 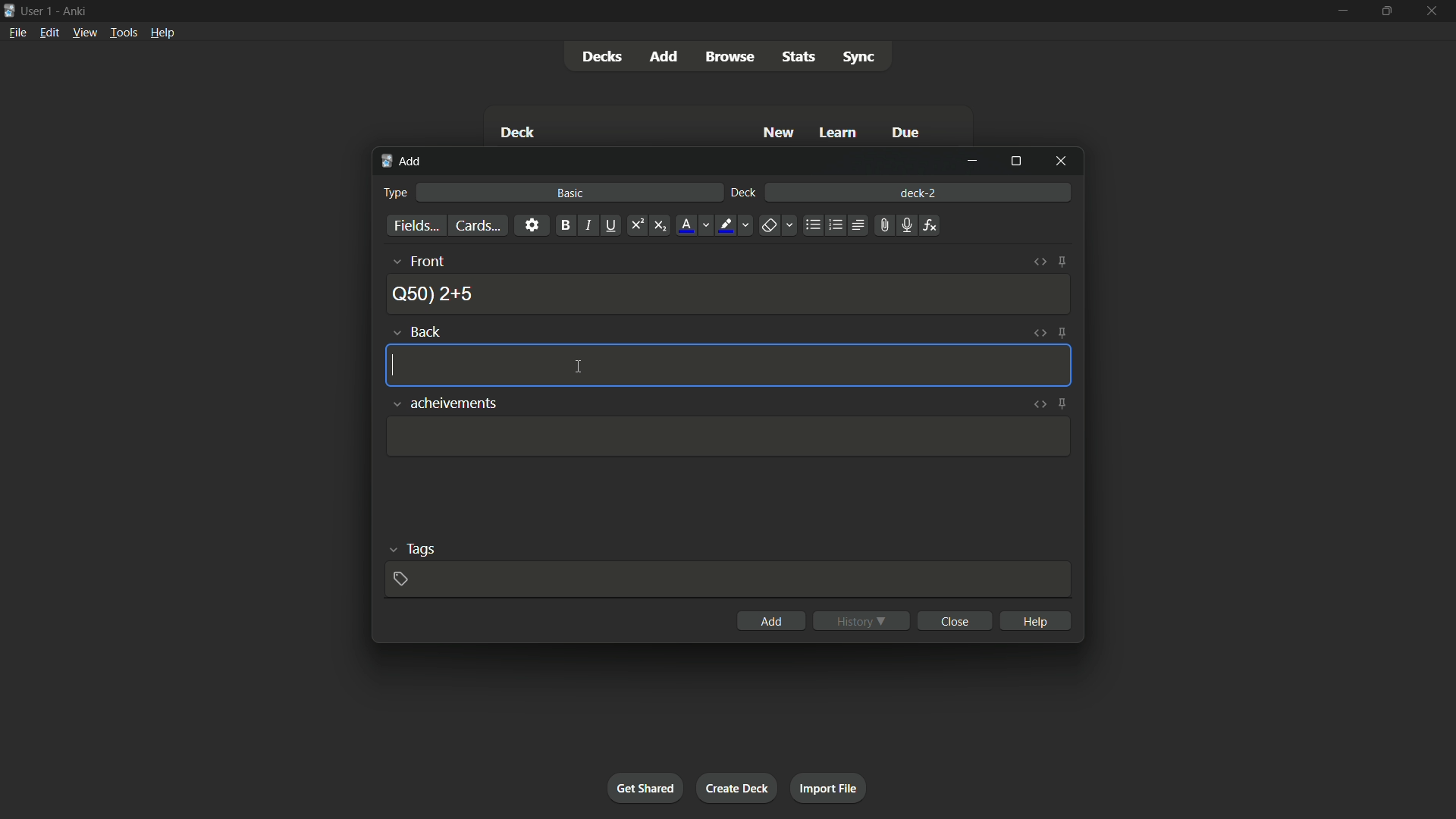 I want to click on ordered list, so click(x=836, y=226).